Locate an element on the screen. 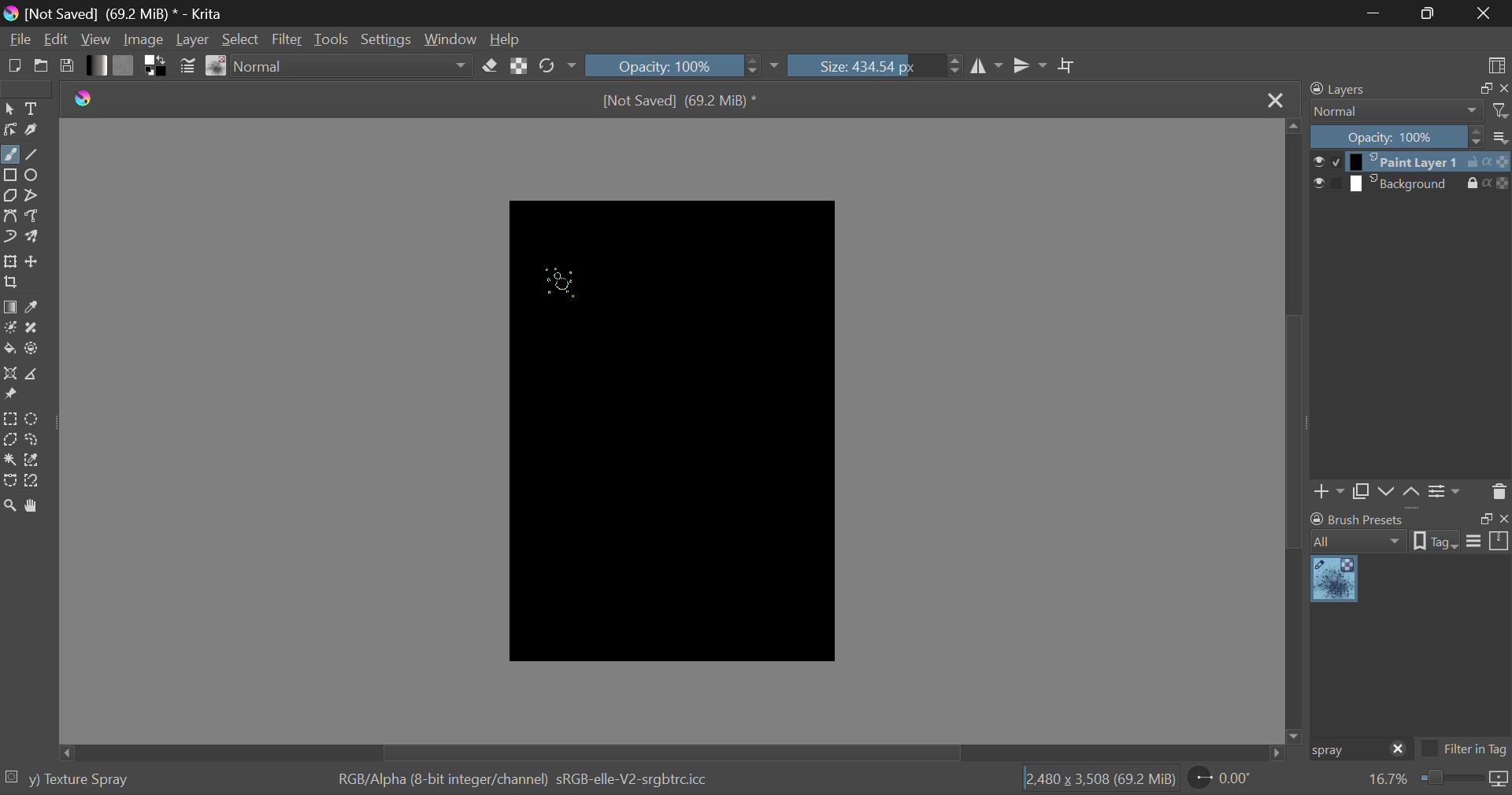  filters icon is located at coordinates (1501, 109).